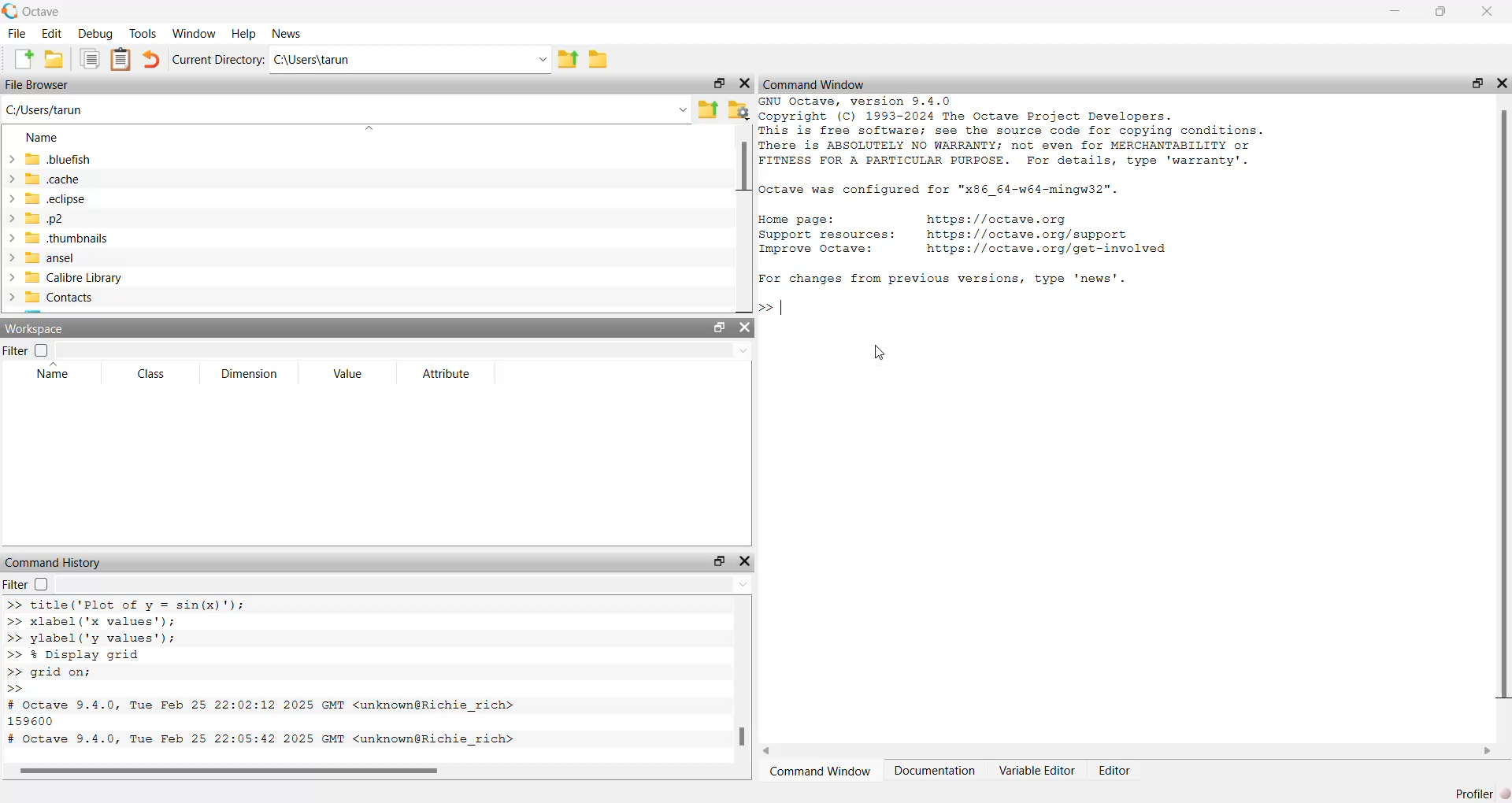 The height and width of the screenshot is (803, 1512). Describe the element at coordinates (745, 83) in the screenshot. I see `close` at that location.